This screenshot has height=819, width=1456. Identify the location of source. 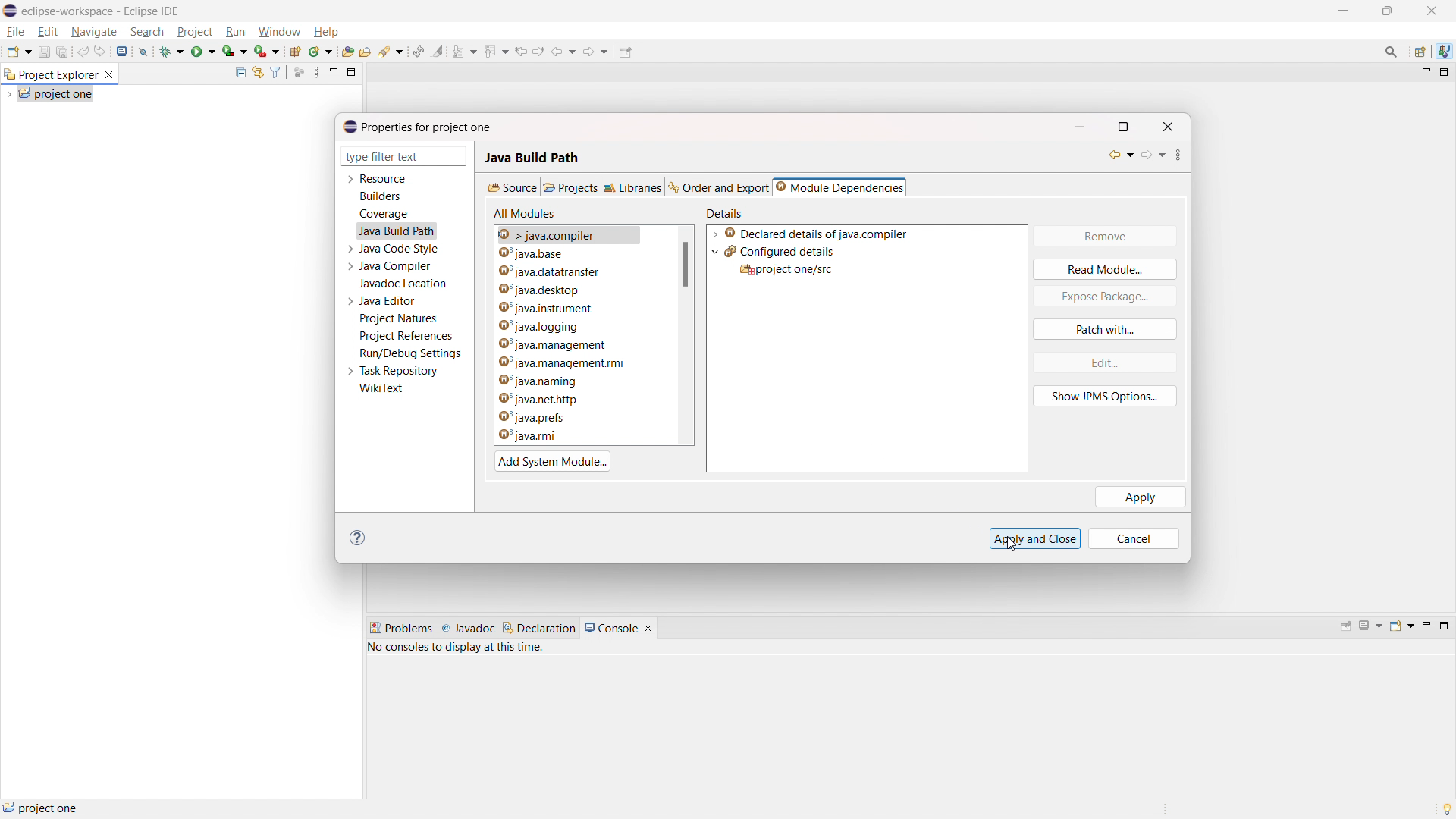
(511, 187).